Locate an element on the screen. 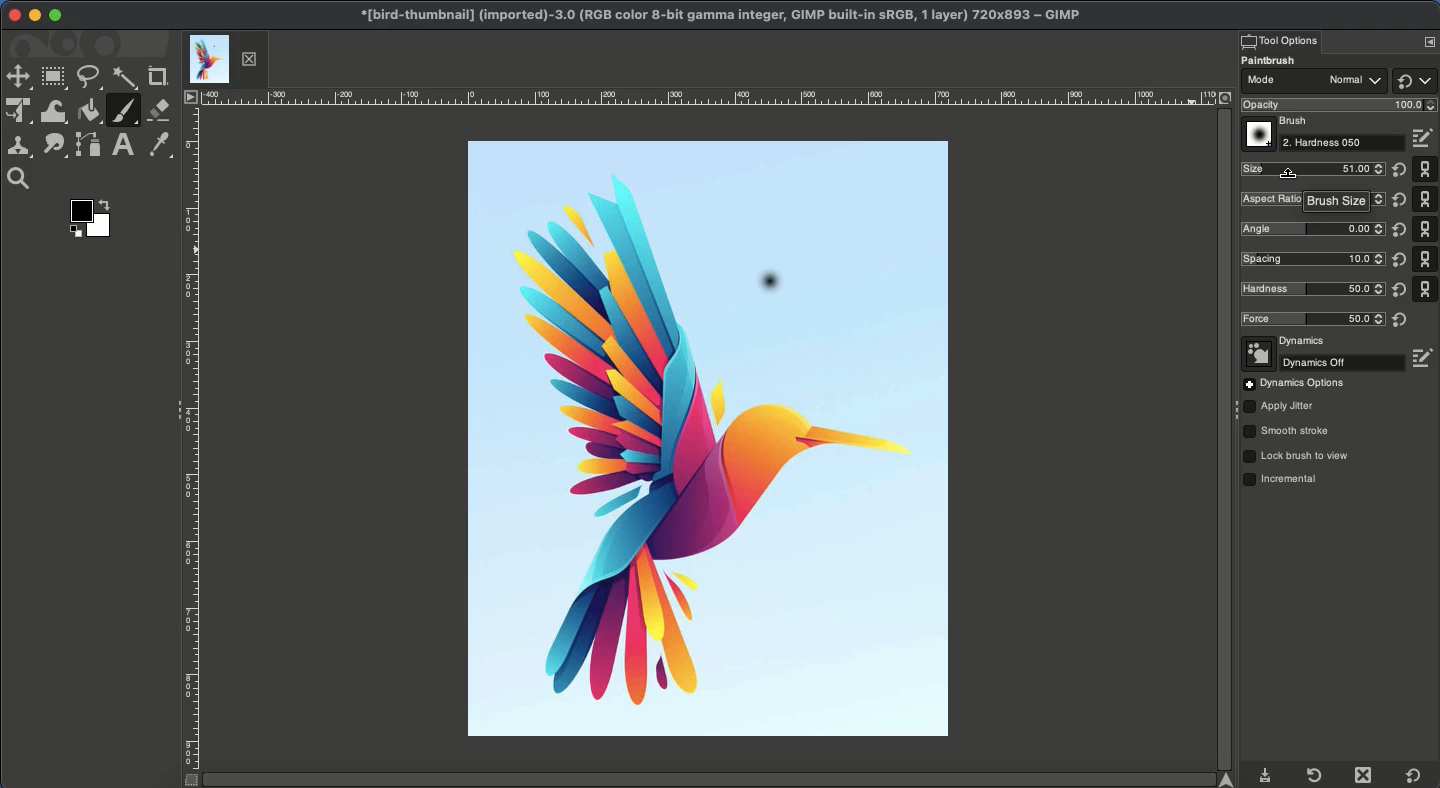 The width and height of the screenshot is (1440, 788). Default is located at coordinates (1426, 228).